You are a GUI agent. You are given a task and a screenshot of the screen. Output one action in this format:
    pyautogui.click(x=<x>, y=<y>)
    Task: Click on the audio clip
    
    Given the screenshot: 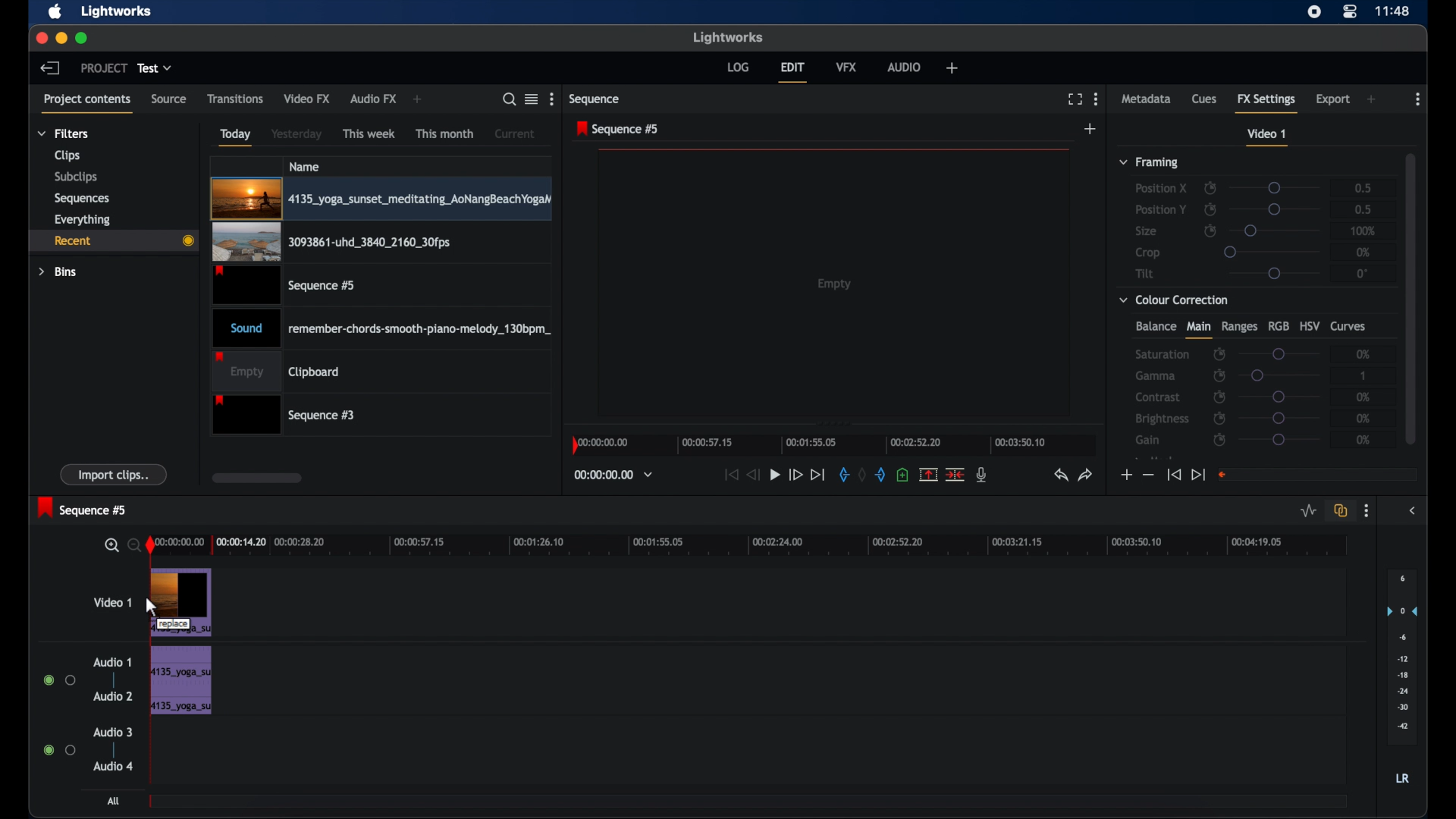 What is the action you would take?
    pyautogui.click(x=382, y=327)
    